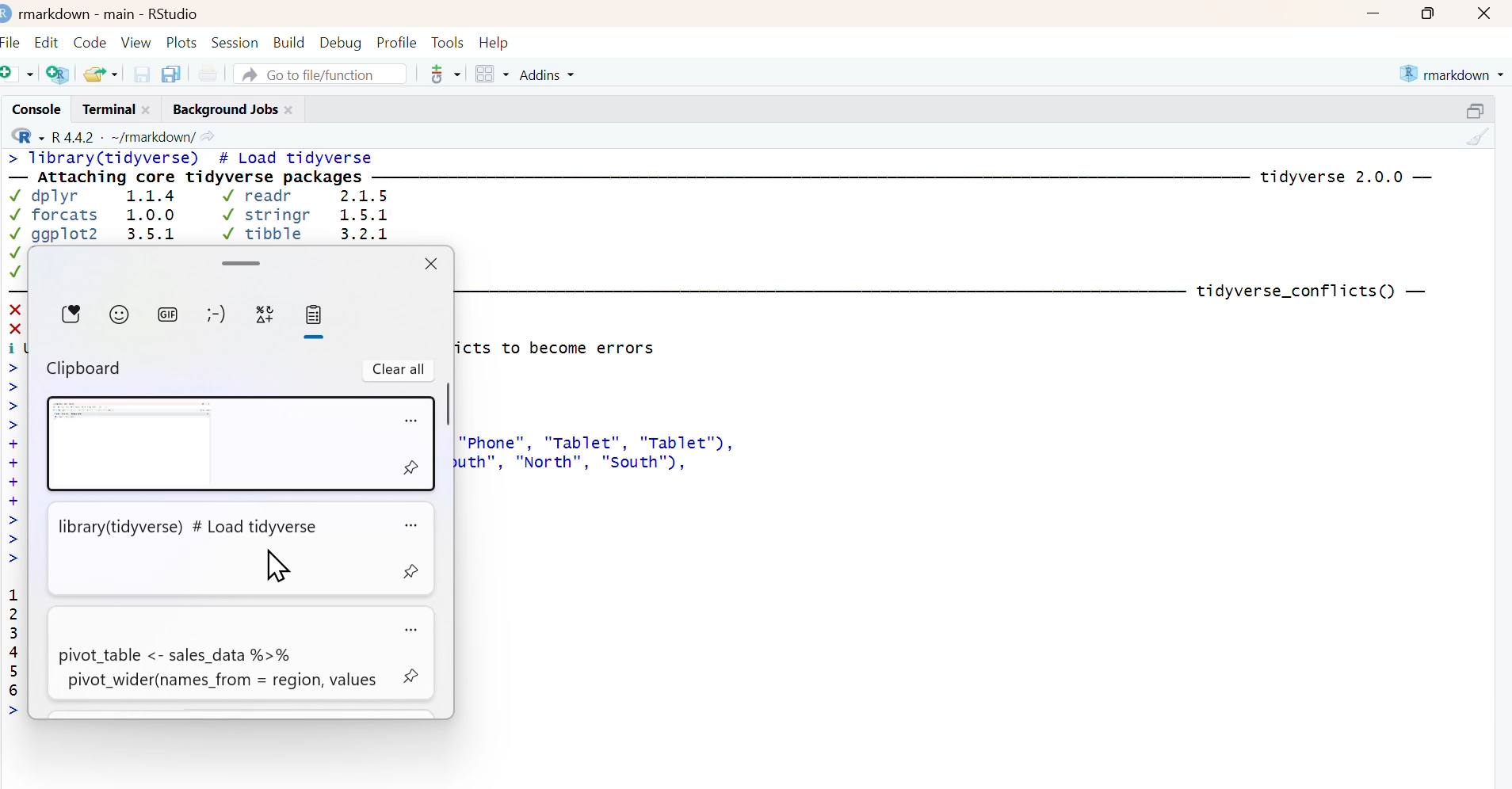 The height and width of the screenshot is (789, 1512). I want to click on new file, so click(19, 73).